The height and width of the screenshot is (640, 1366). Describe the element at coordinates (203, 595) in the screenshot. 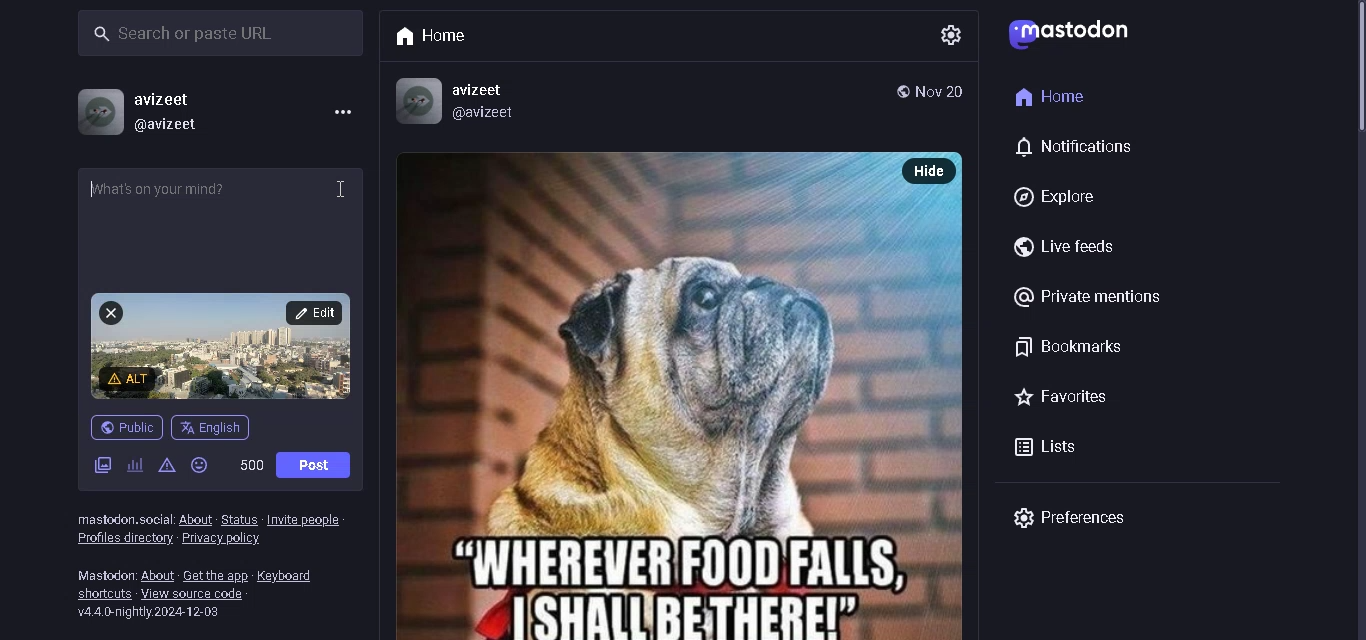

I see `view source code` at that location.